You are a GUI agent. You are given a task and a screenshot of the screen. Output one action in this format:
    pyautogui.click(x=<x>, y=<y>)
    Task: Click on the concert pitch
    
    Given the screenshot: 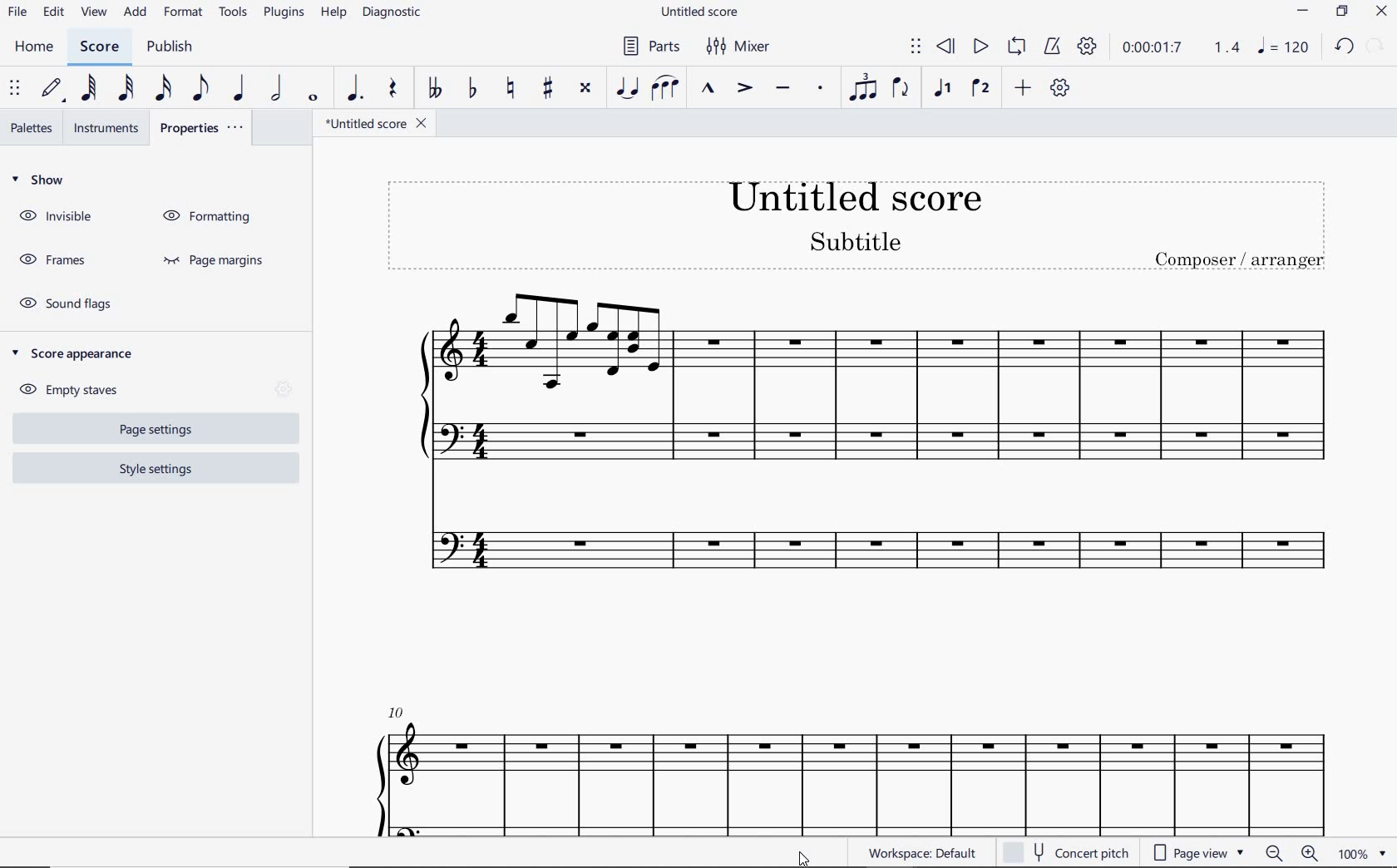 What is the action you would take?
    pyautogui.click(x=1069, y=852)
    